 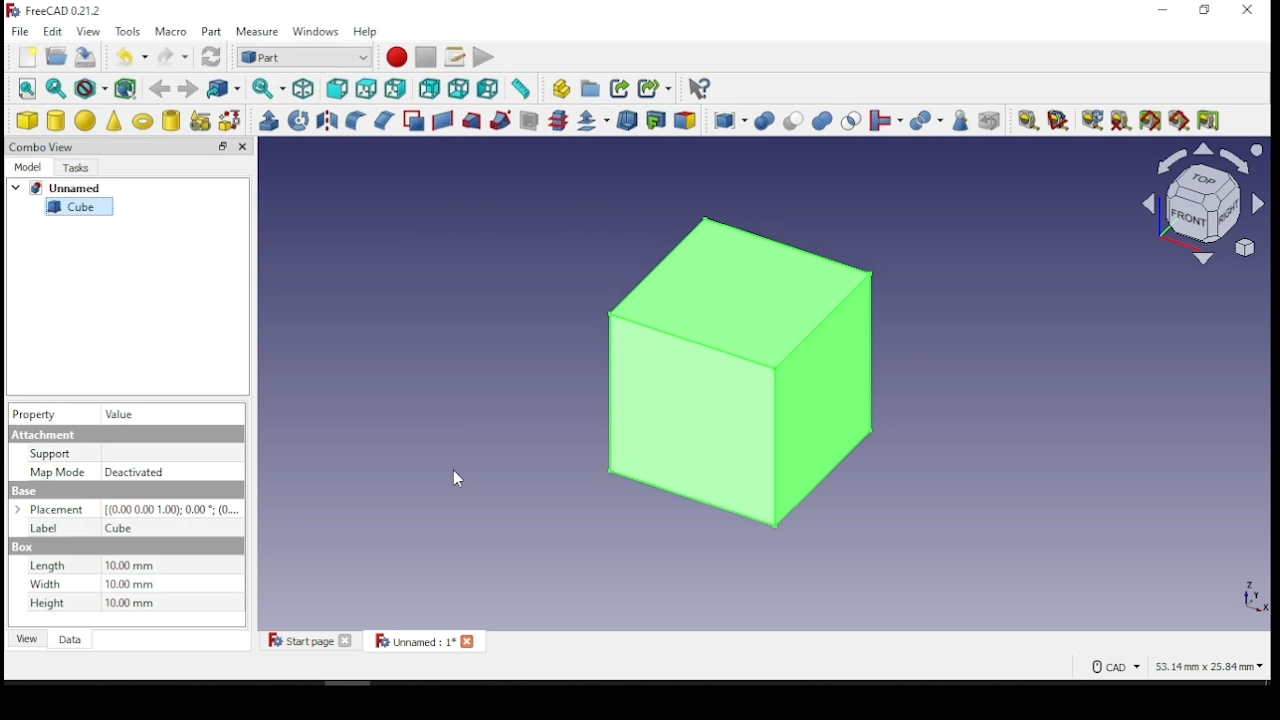 I want to click on toggle delta, so click(x=1210, y=120).